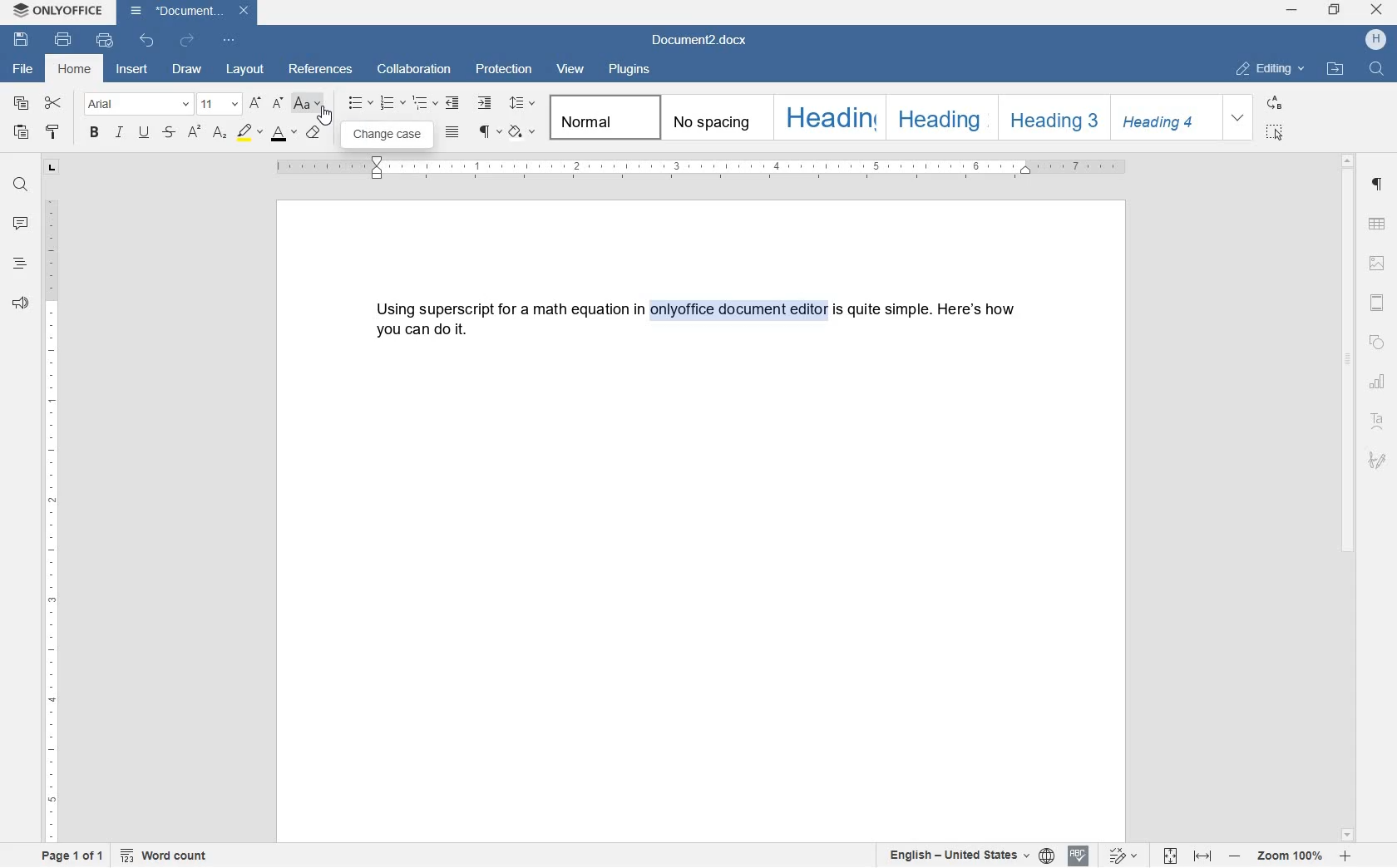  What do you see at coordinates (571, 67) in the screenshot?
I see `view` at bounding box center [571, 67].